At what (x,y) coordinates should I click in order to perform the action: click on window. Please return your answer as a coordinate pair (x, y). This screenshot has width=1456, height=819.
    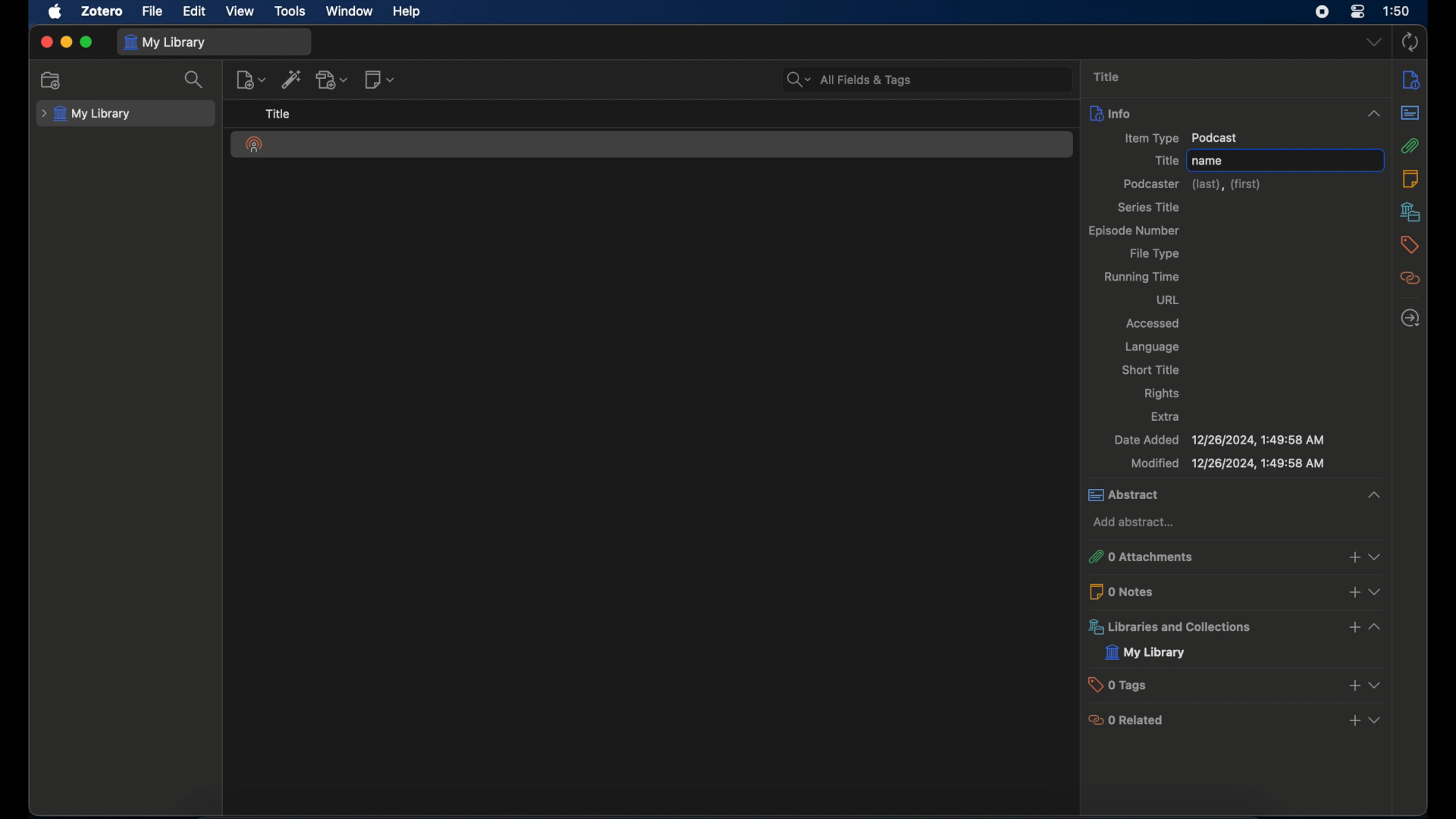
    Looking at the image, I should click on (350, 11).